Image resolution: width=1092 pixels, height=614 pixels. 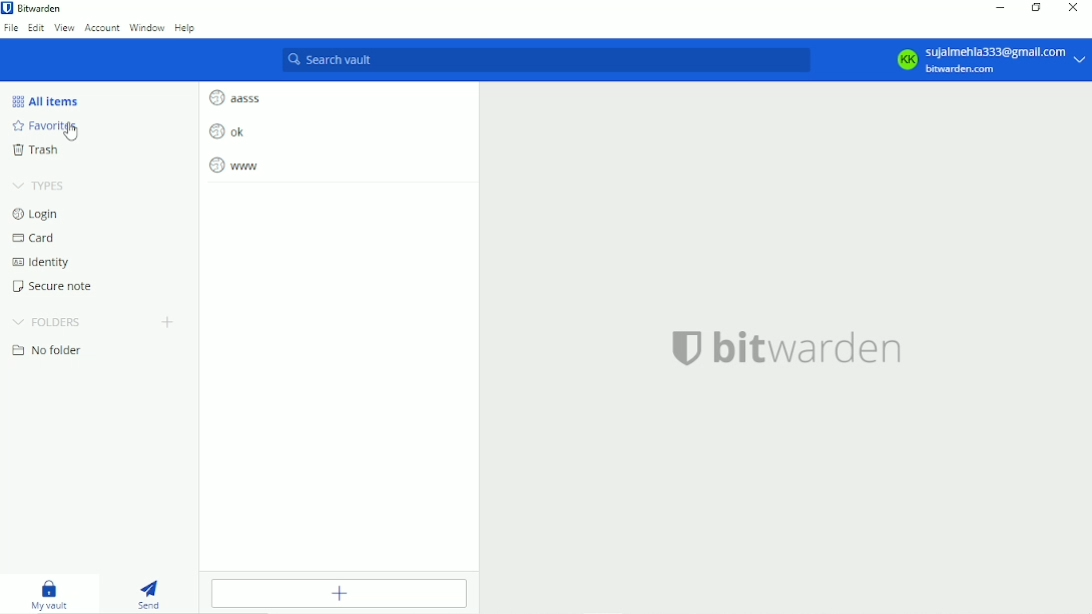 I want to click on cursor, so click(x=71, y=136).